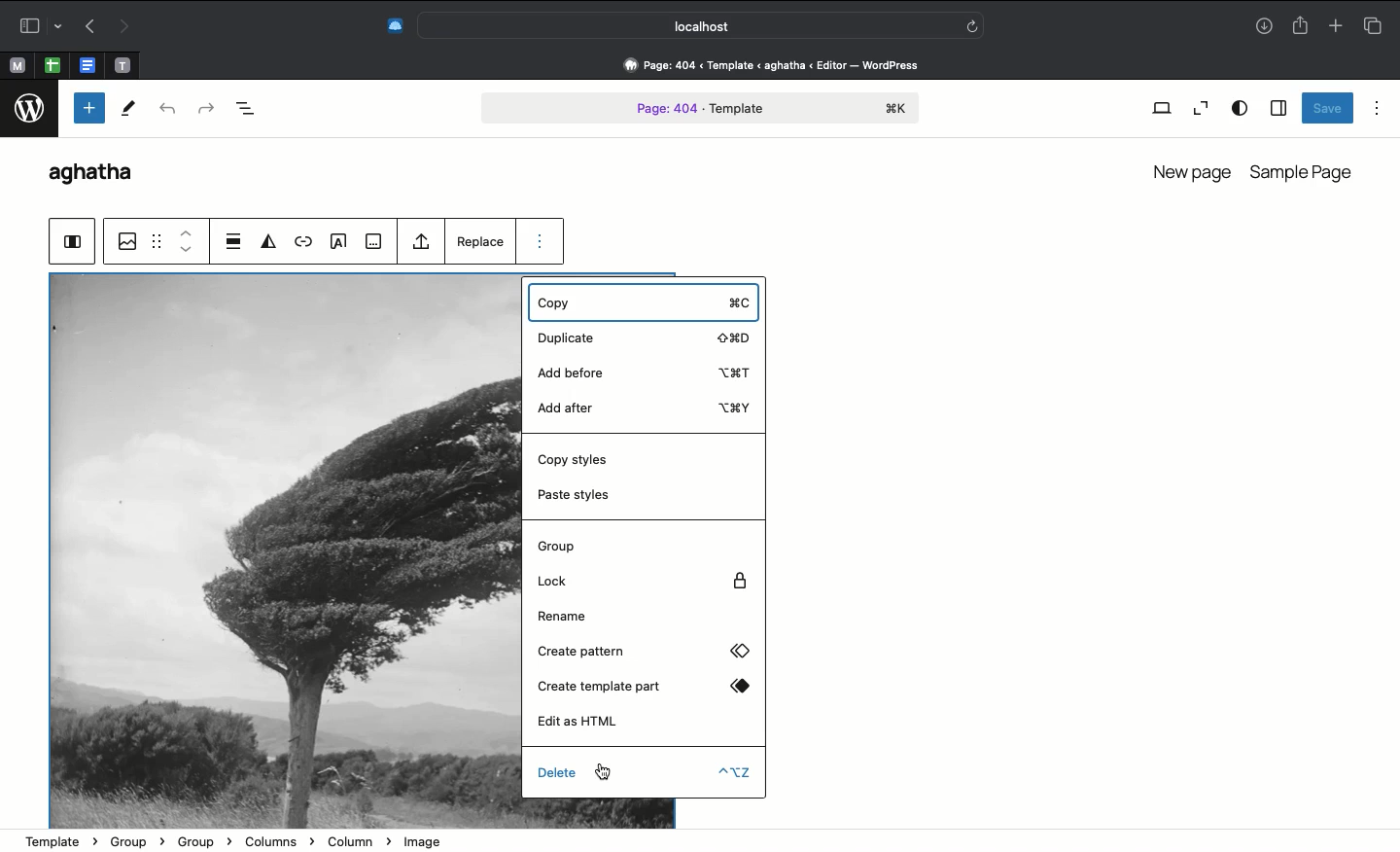  Describe the element at coordinates (1264, 28) in the screenshot. I see `Downlaods` at that location.